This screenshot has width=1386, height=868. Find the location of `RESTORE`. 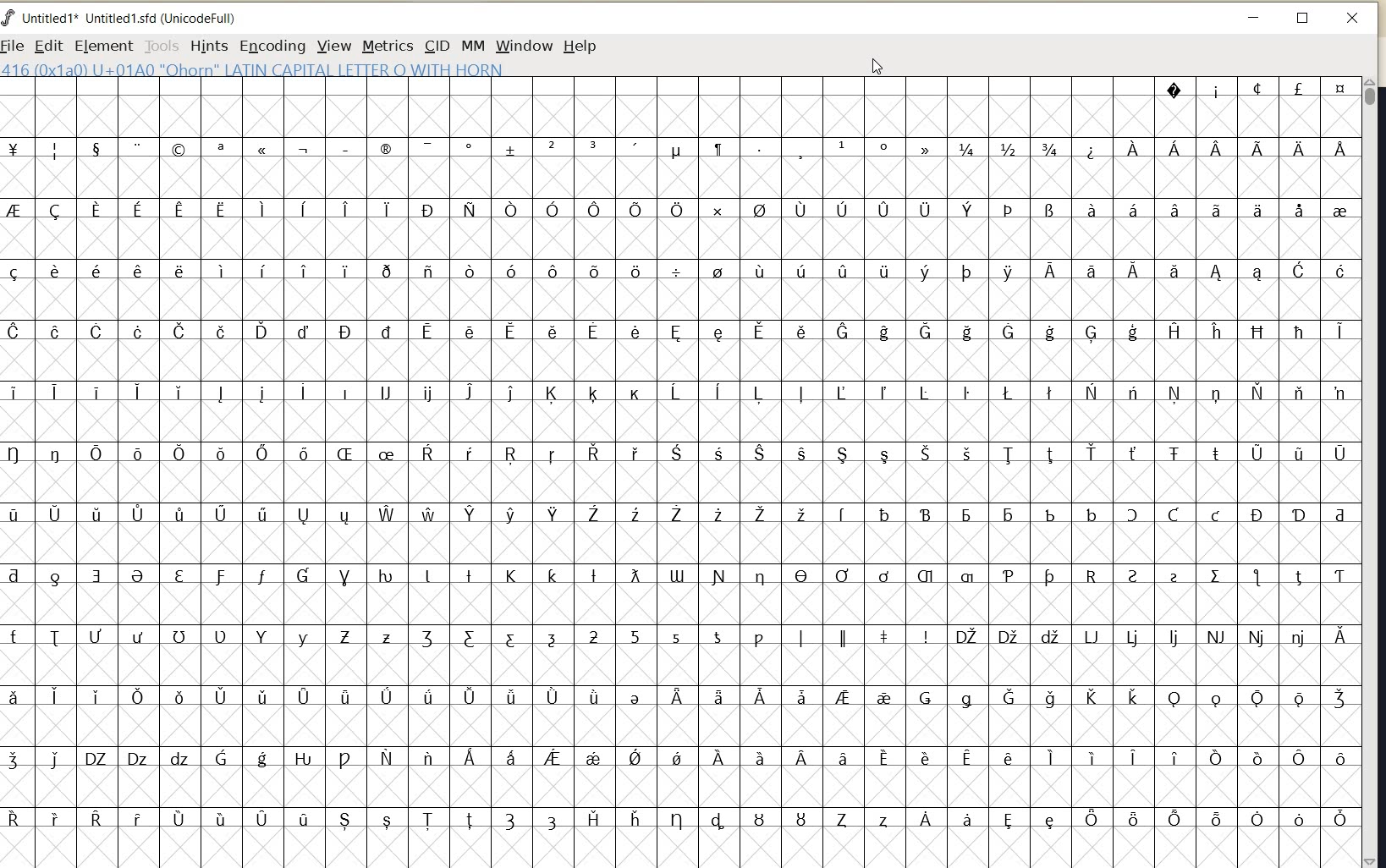

RESTORE is located at coordinates (1302, 19).